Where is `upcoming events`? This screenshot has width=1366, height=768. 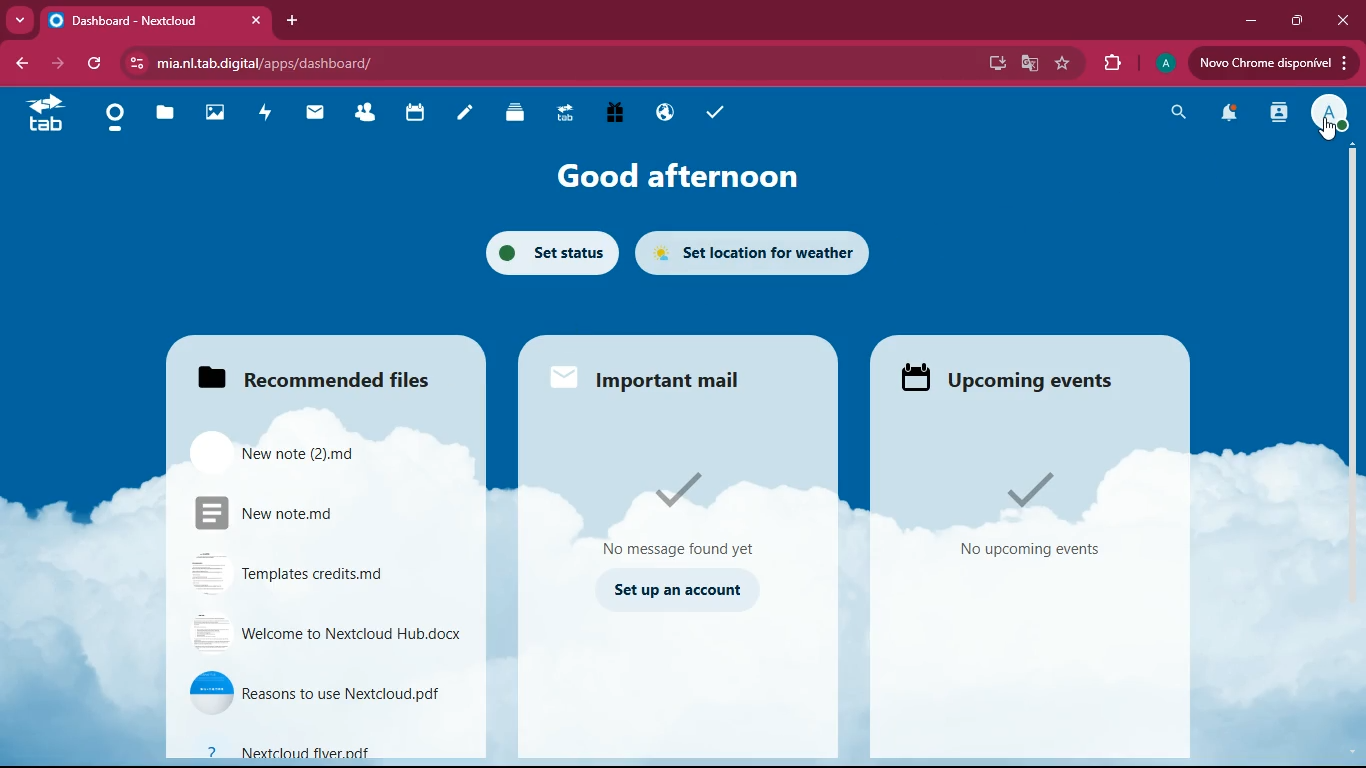
upcoming events is located at coordinates (1011, 374).